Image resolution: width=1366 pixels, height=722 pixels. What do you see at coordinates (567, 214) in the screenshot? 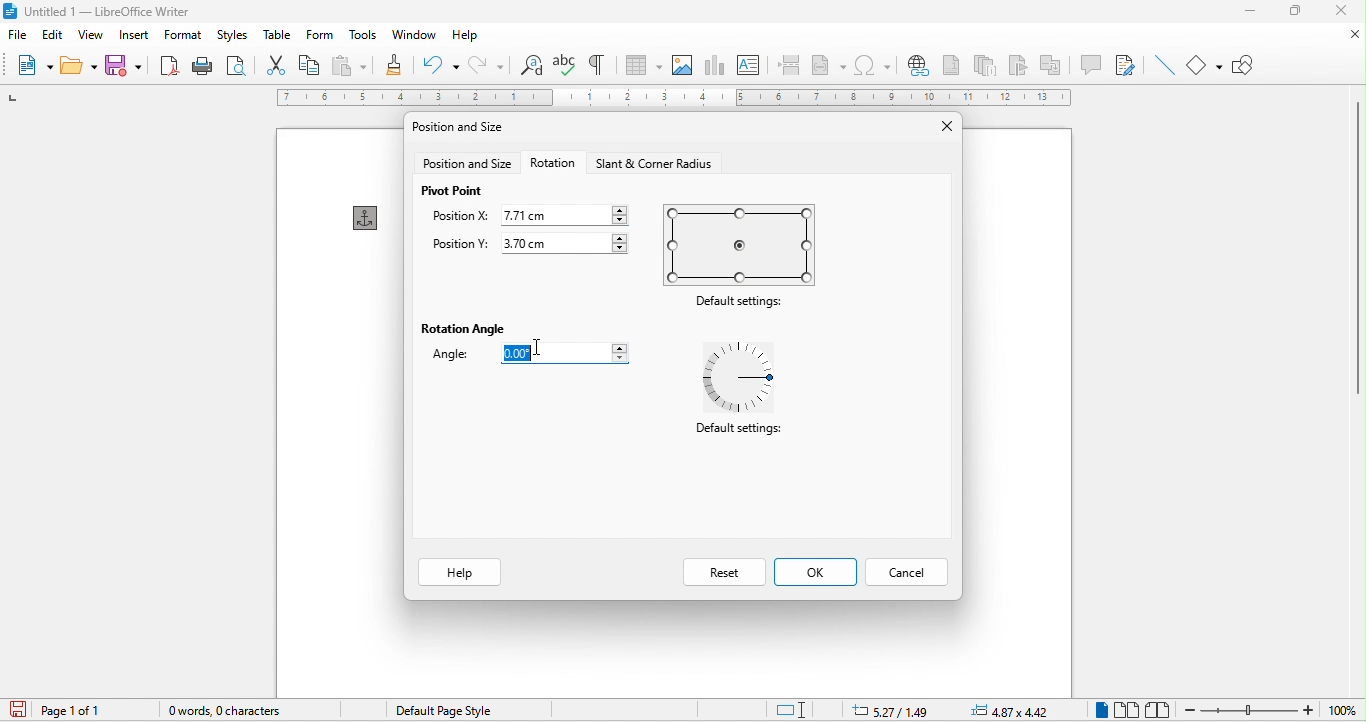
I see `7.71 cm` at bounding box center [567, 214].